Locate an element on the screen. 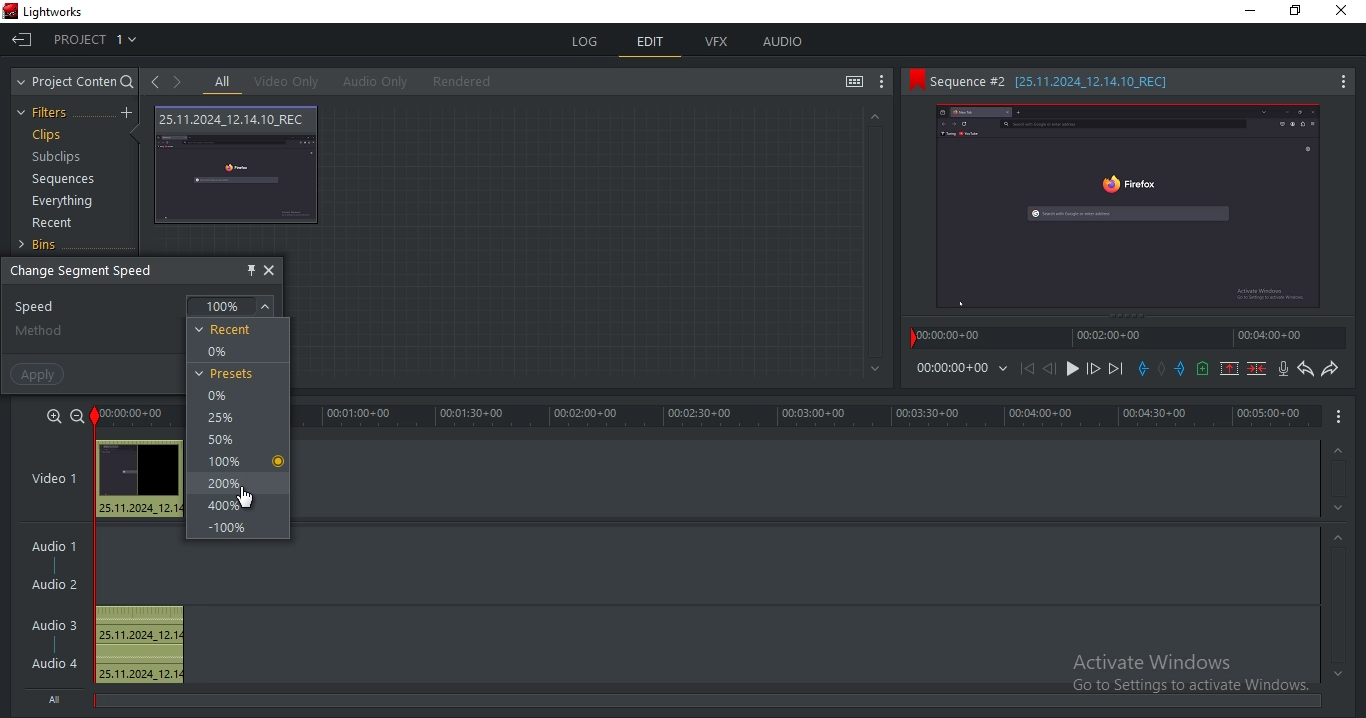  remove the marked section is located at coordinates (1230, 369).